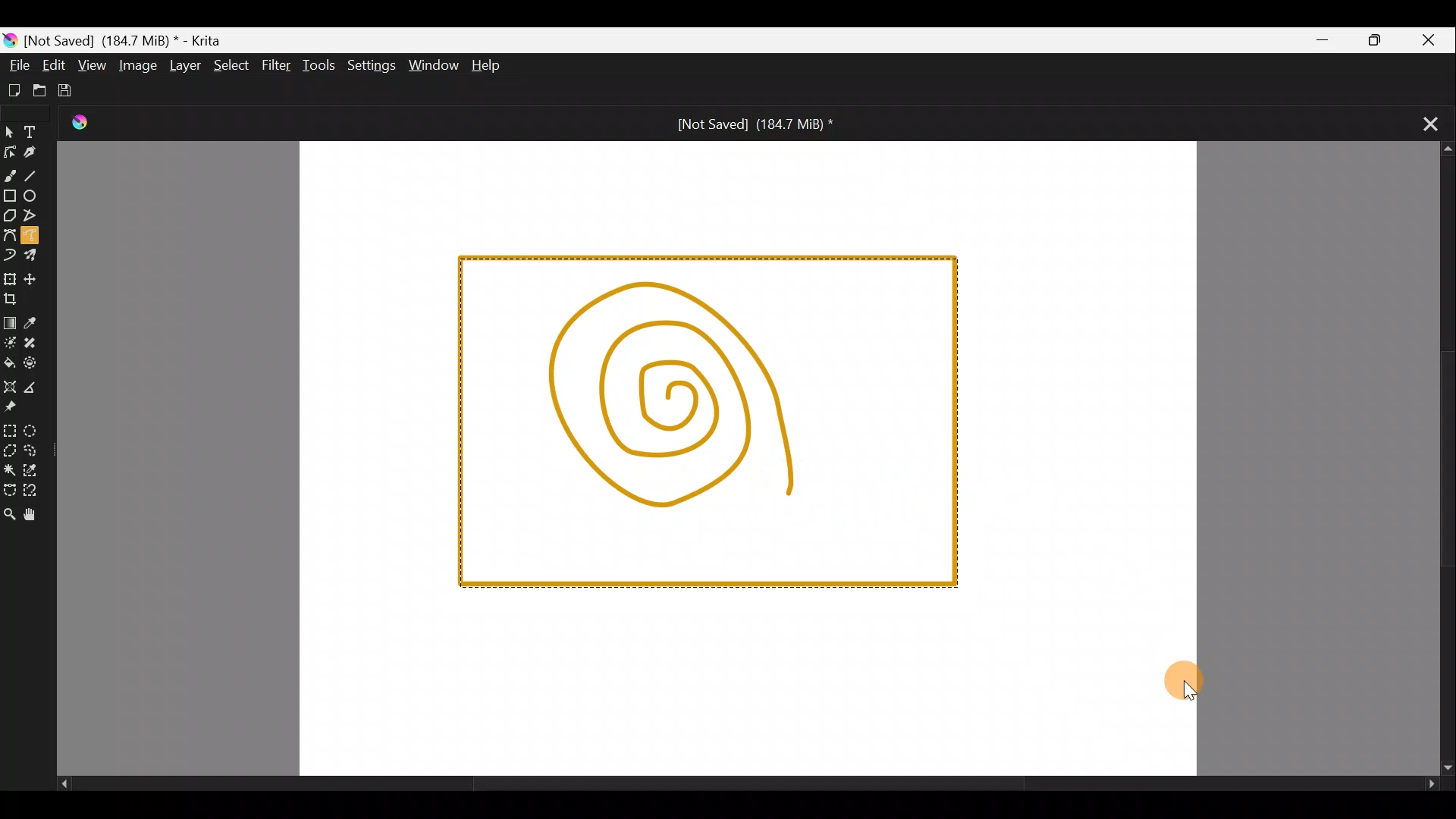  What do you see at coordinates (15, 90) in the screenshot?
I see `Create new document` at bounding box center [15, 90].